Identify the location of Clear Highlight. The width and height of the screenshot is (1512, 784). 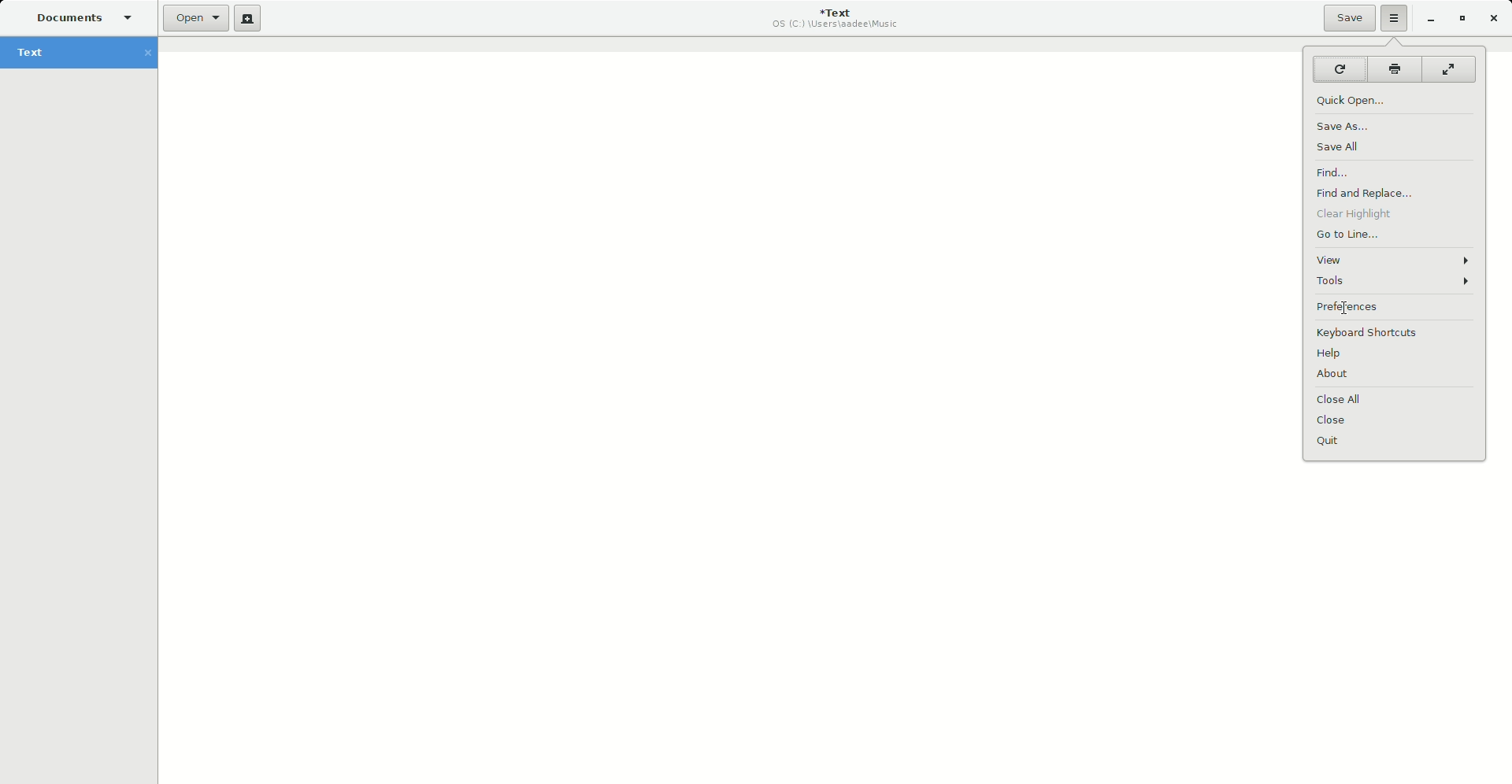
(1366, 215).